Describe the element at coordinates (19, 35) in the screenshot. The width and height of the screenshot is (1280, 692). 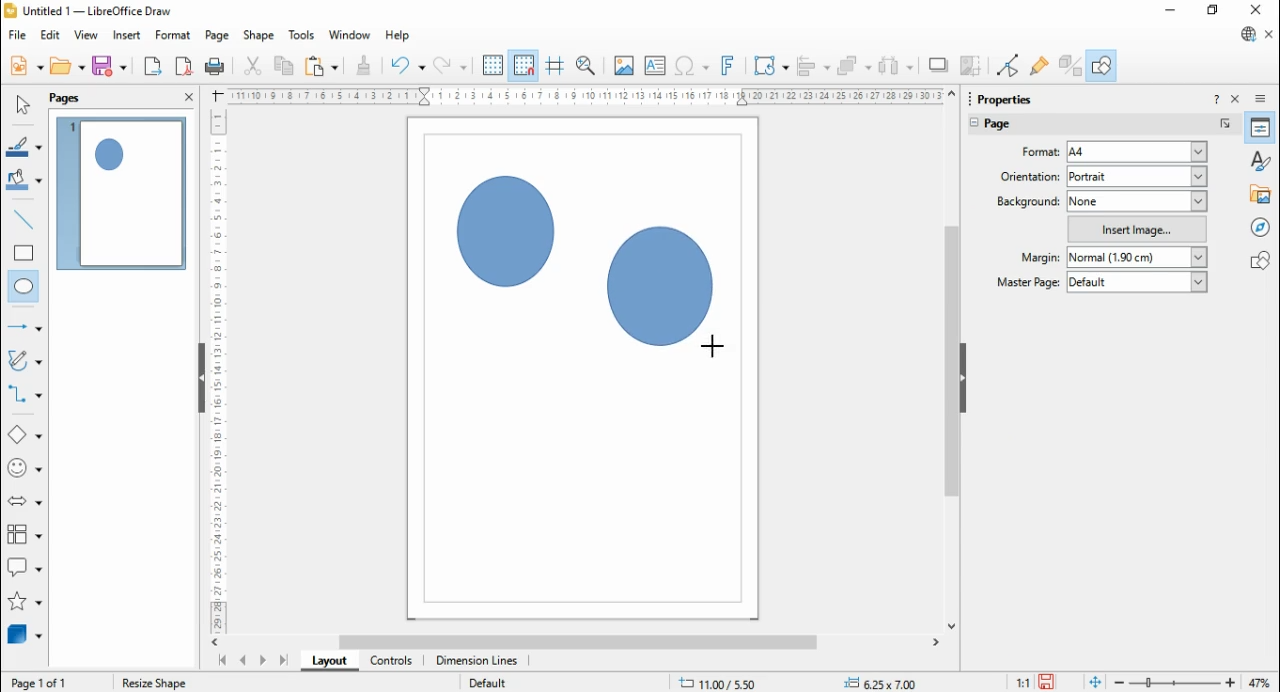
I see `file` at that location.